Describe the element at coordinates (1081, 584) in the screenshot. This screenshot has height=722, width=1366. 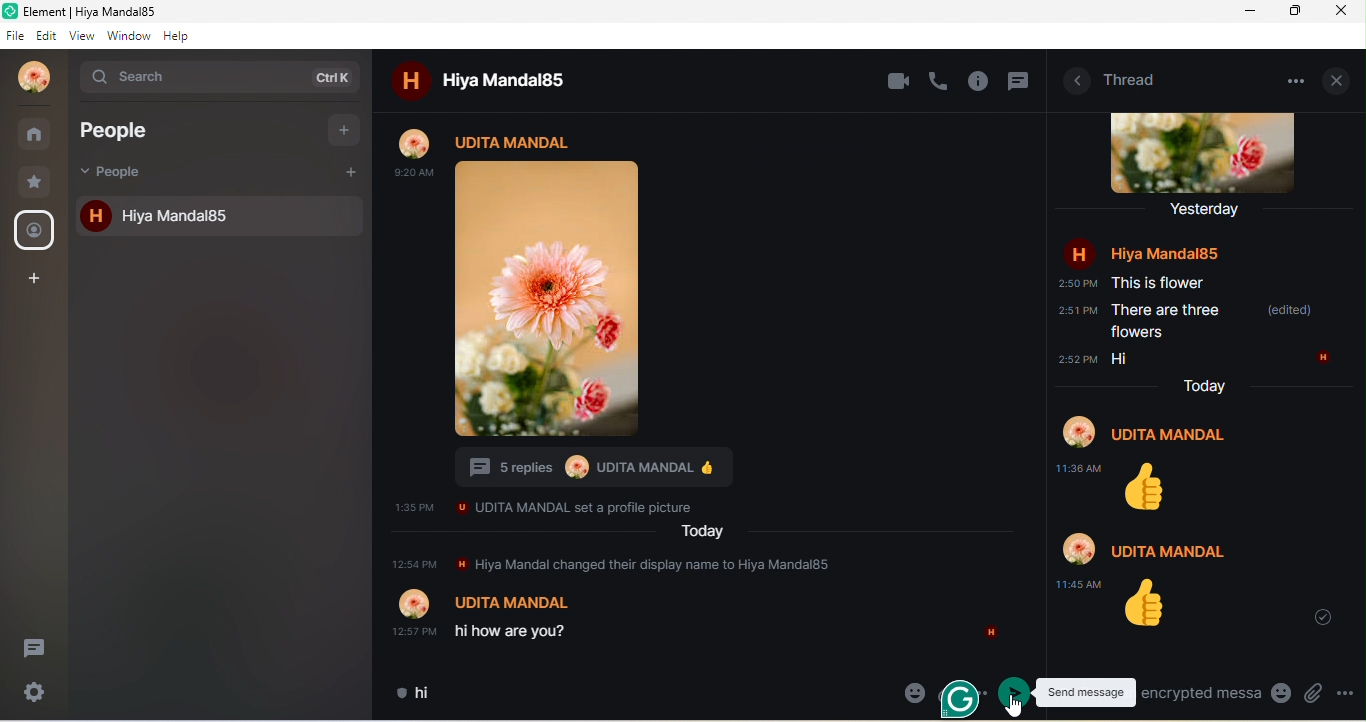
I see `11:45 AM` at that location.